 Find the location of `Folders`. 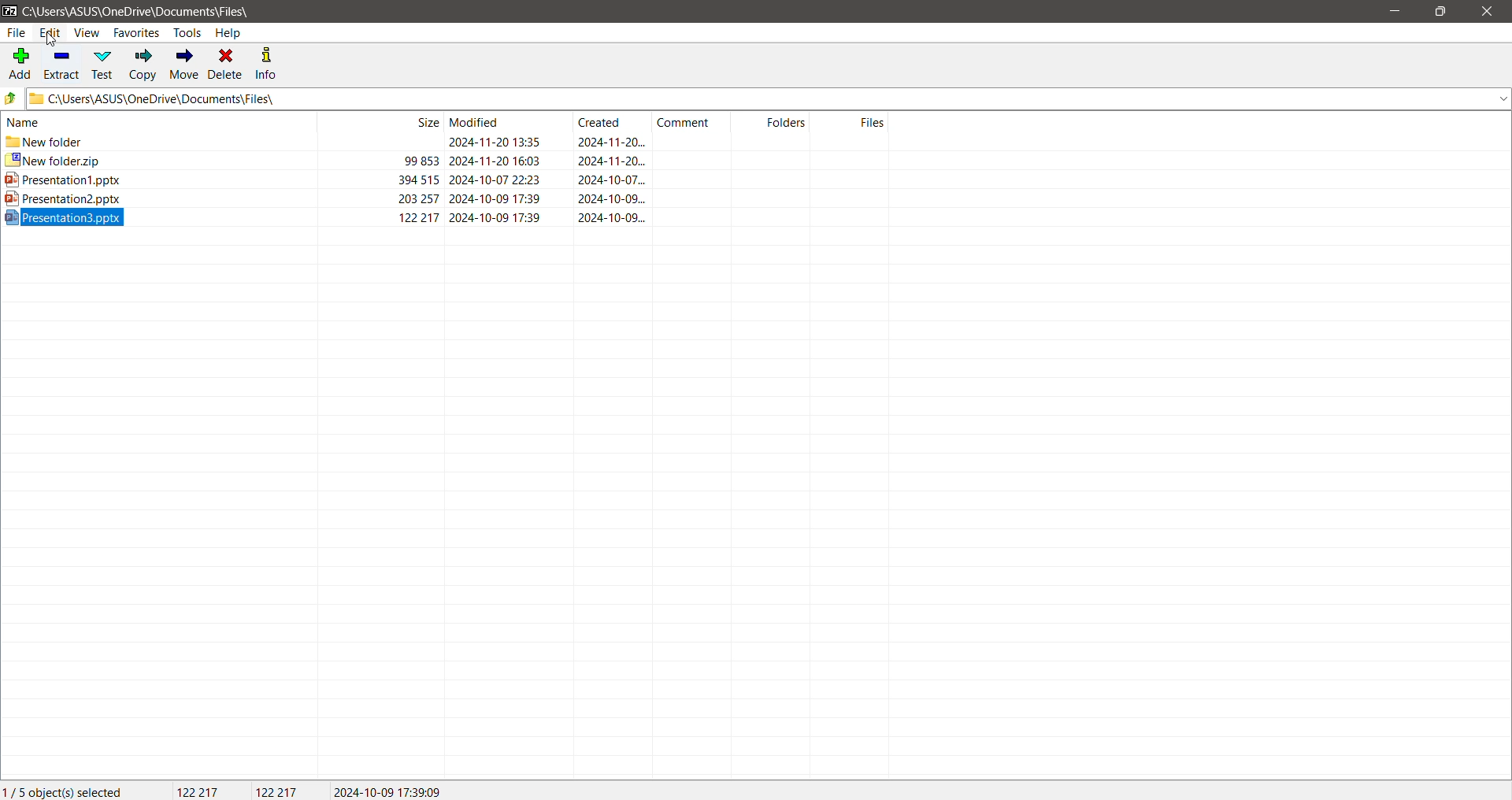

Folders is located at coordinates (773, 122).